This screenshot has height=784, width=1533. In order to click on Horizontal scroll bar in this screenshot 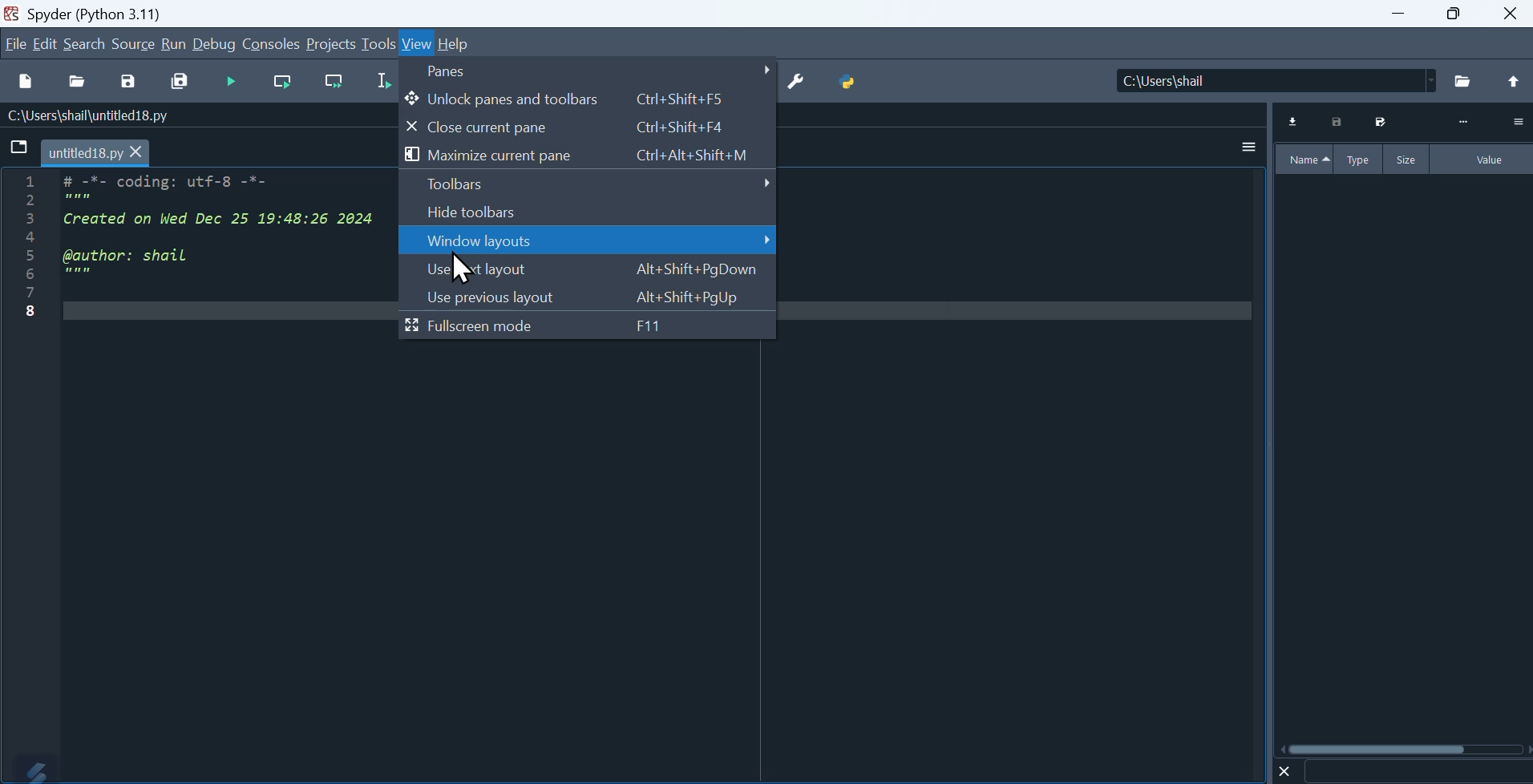, I will do `click(1406, 749)`.